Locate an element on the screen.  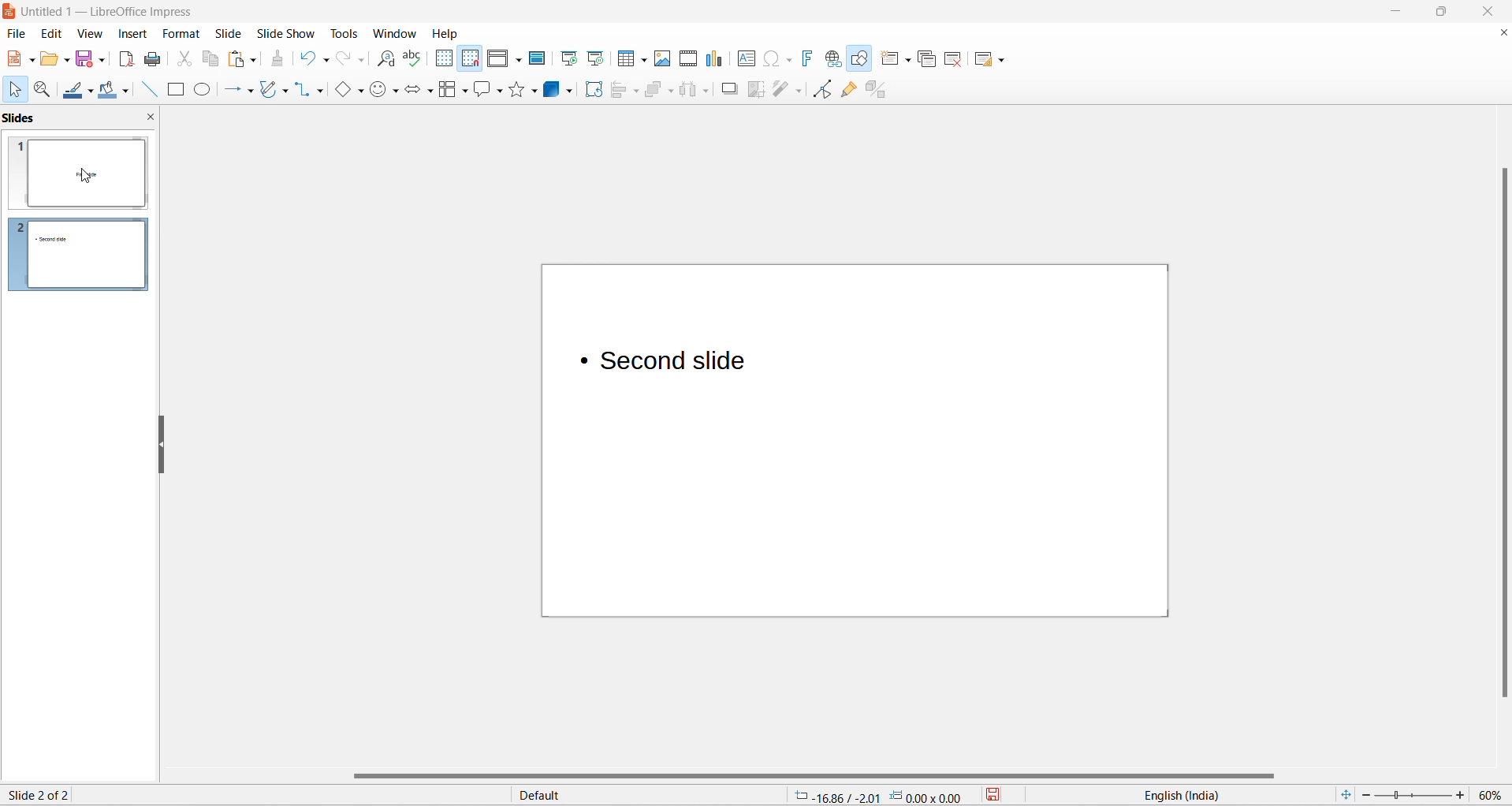
slide master type is located at coordinates (639, 792).